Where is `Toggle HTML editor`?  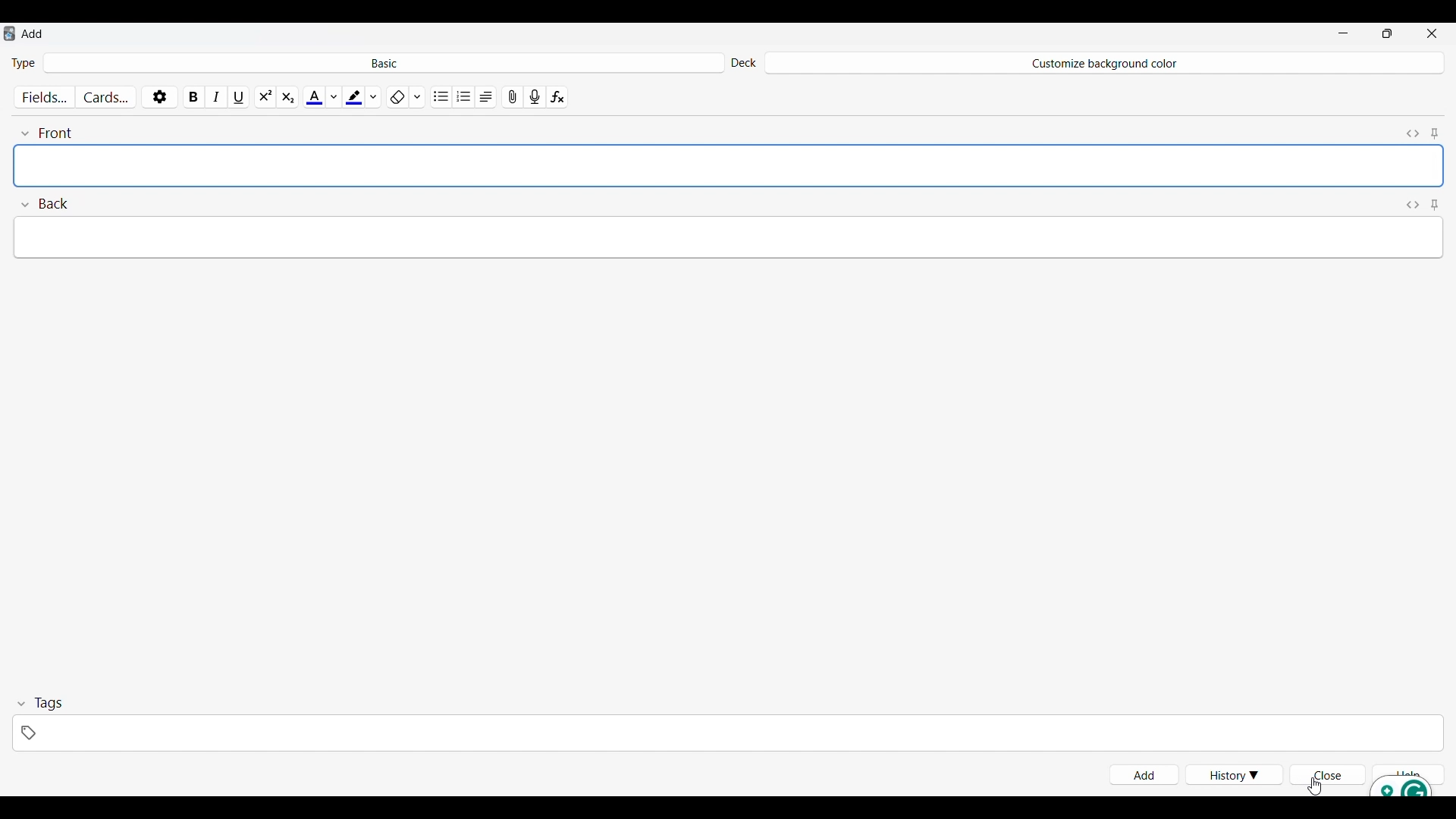
Toggle HTML editor is located at coordinates (1414, 203).